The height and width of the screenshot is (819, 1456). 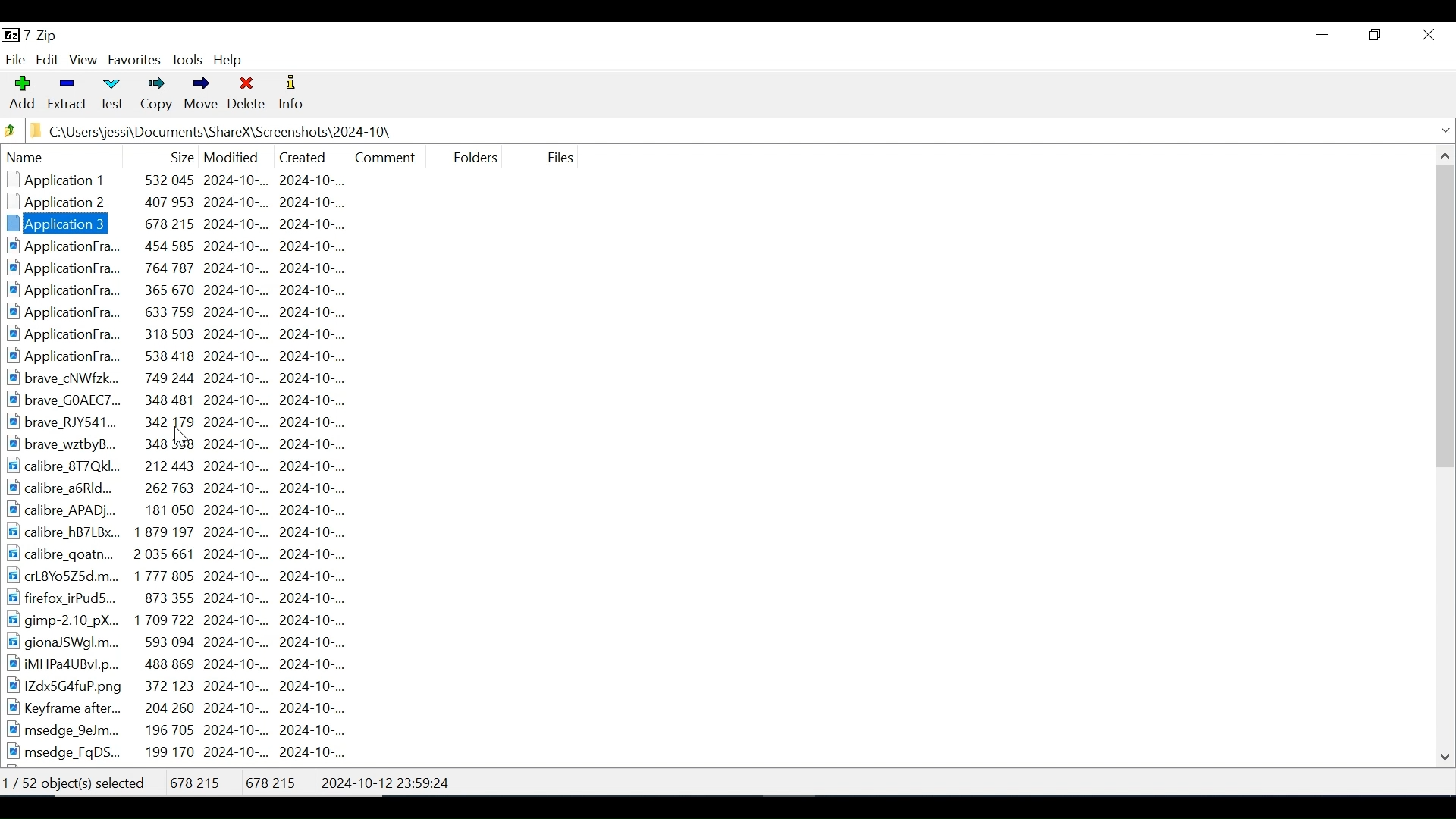 What do you see at coordinates (66, 94) in the screenshot?
I see `Extract` at bounding box center [66, 94].